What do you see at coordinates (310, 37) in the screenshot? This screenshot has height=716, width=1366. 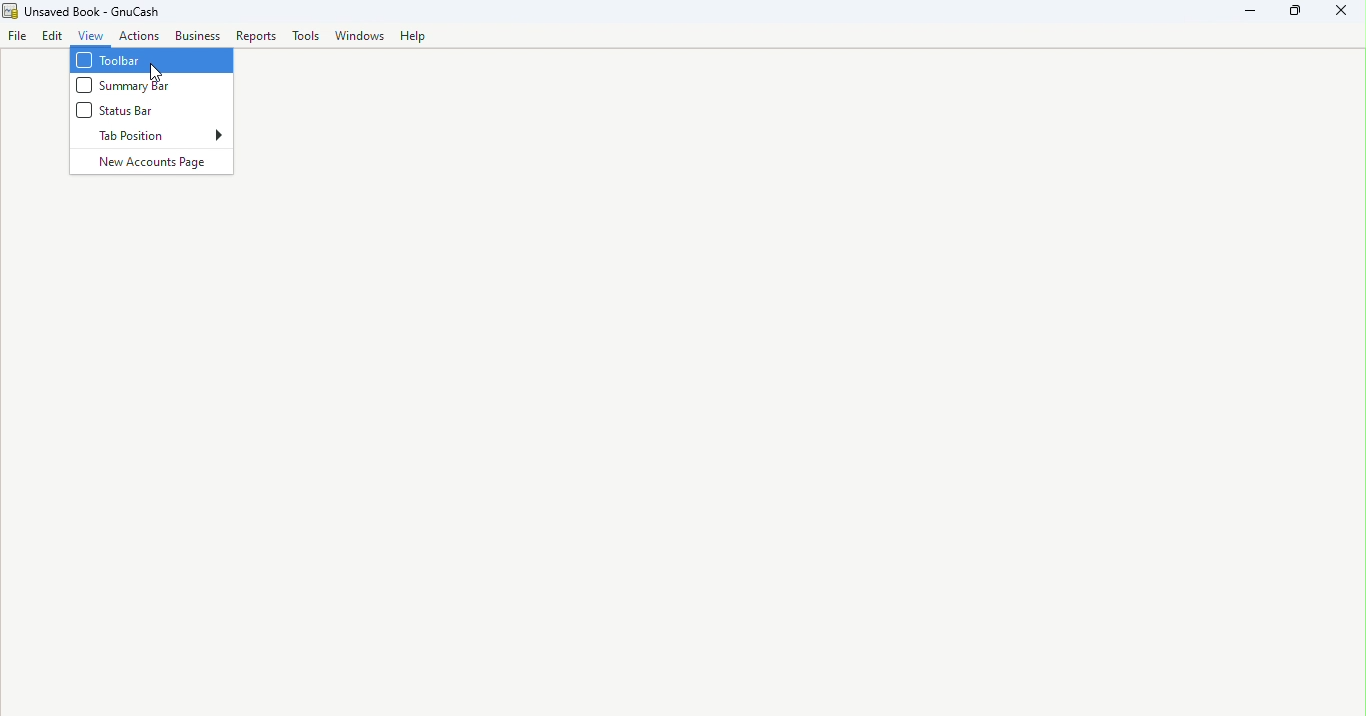 I see `Tools` at bounding box center [310, 37].